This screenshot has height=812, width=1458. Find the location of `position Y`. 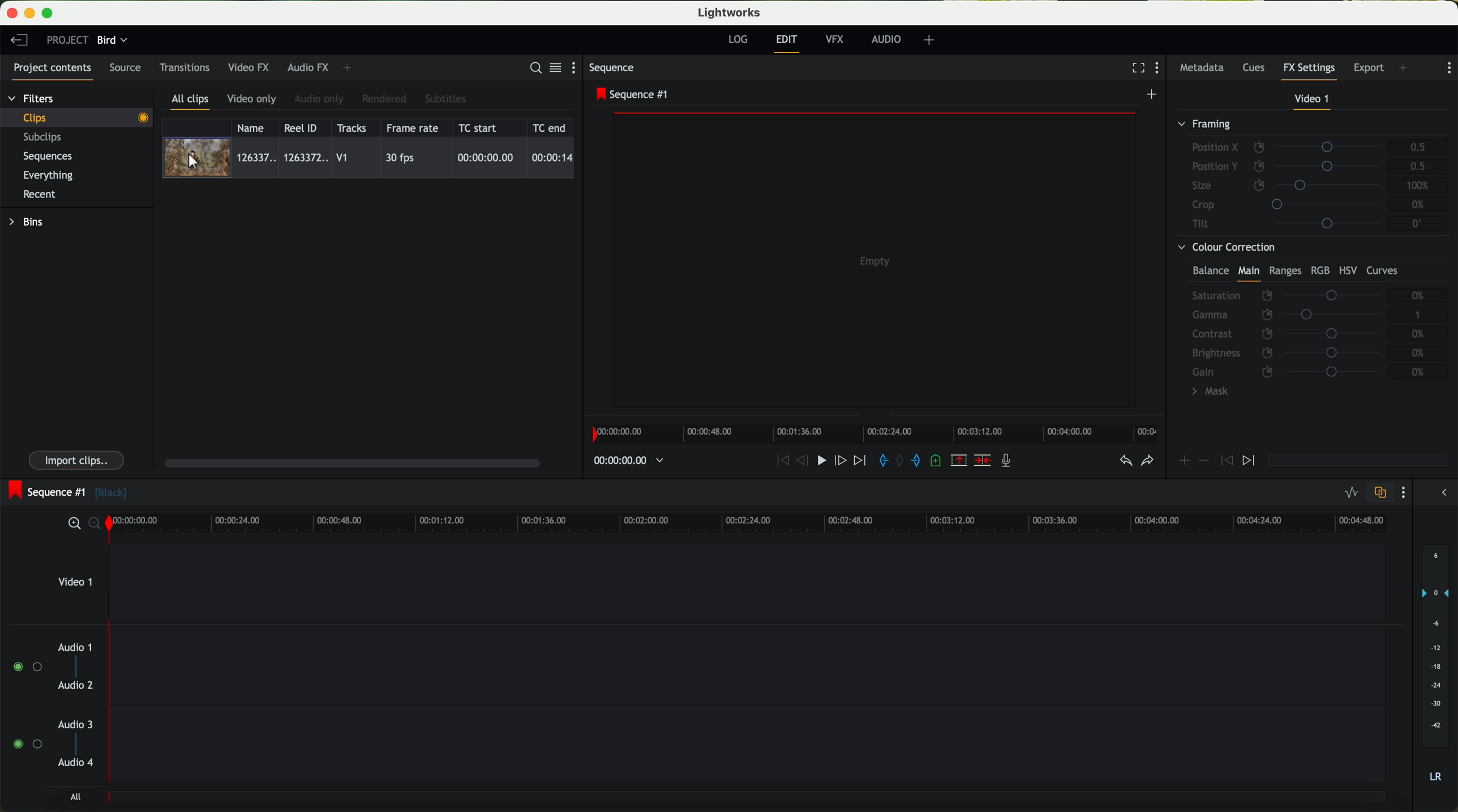

position Y is located at coordinates (1290, 166).